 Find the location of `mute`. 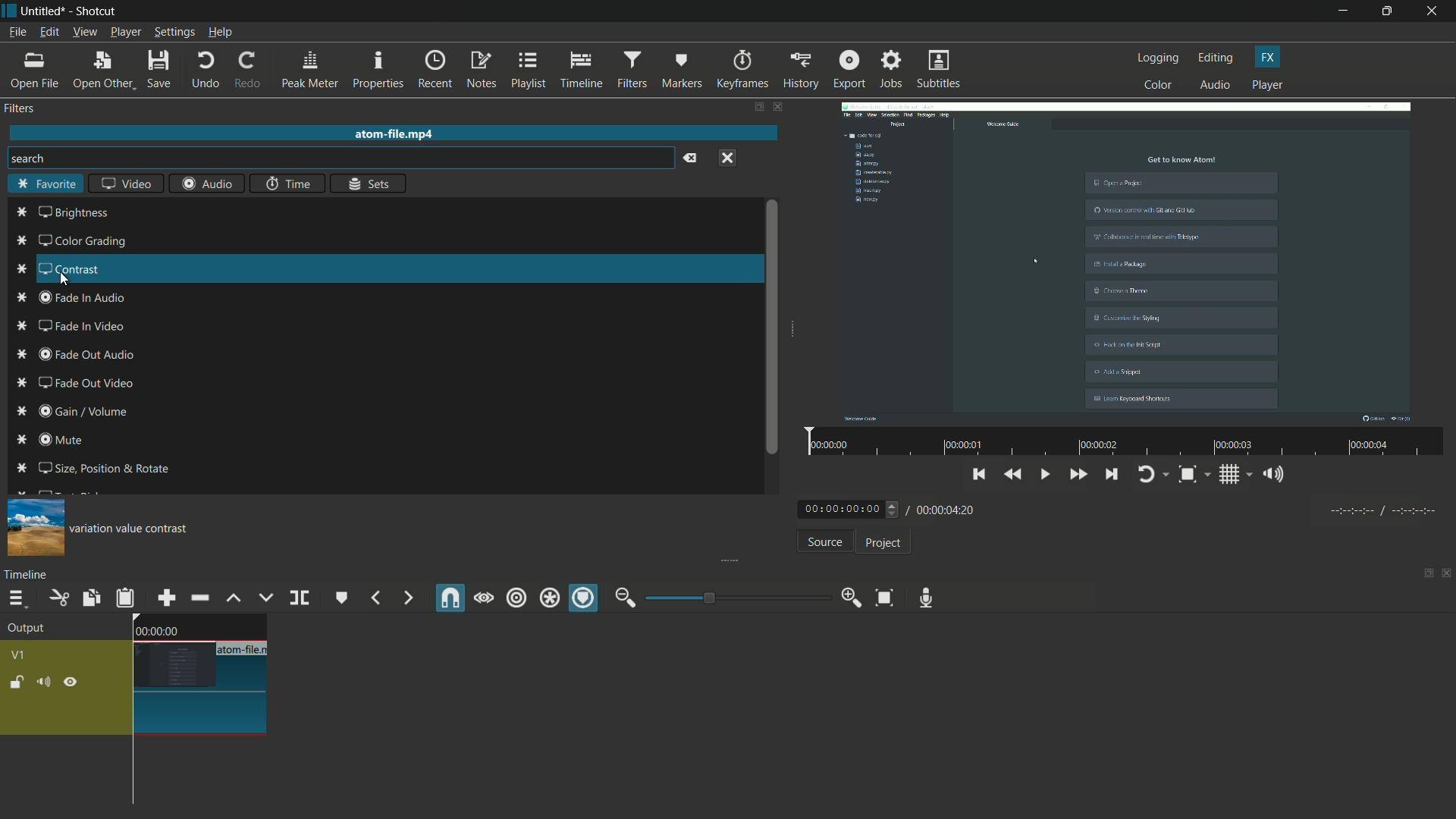

mute is located at coordinates (46, 682).